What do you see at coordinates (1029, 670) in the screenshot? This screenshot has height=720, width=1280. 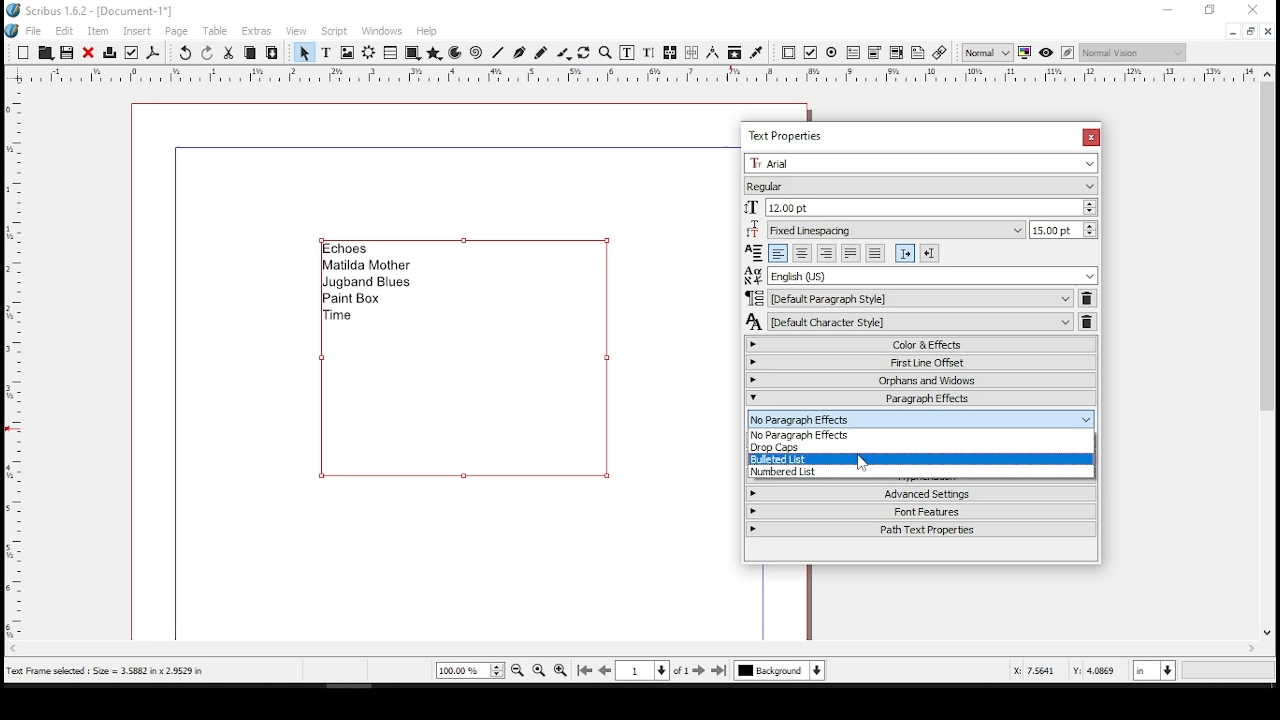 I see `X: 4.1993` at bounding box center [1029, 670].